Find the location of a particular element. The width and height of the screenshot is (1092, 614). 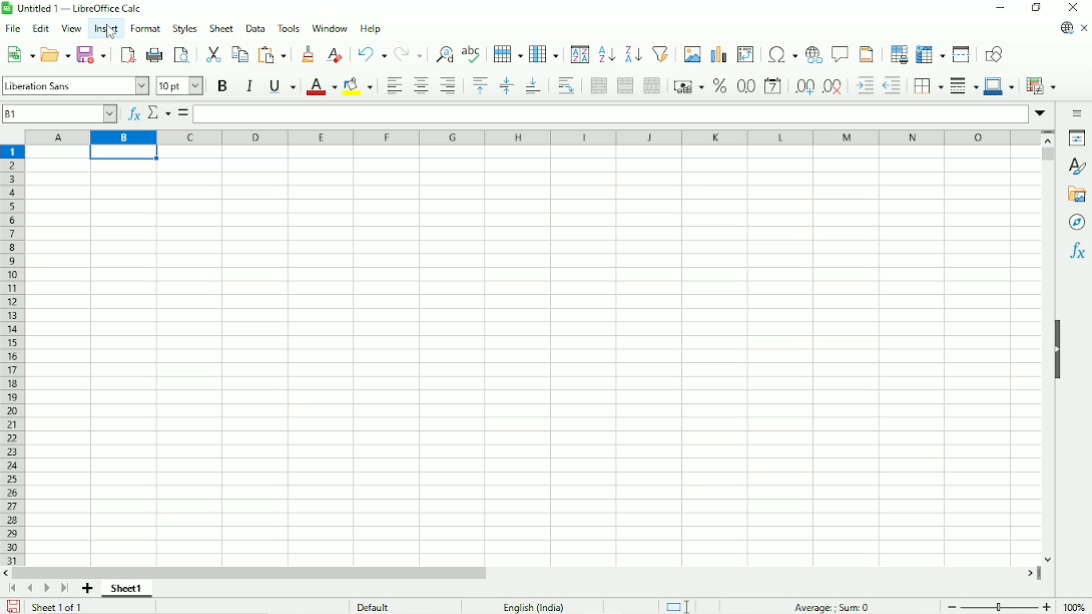

Open is located at coordinates (55, 54).